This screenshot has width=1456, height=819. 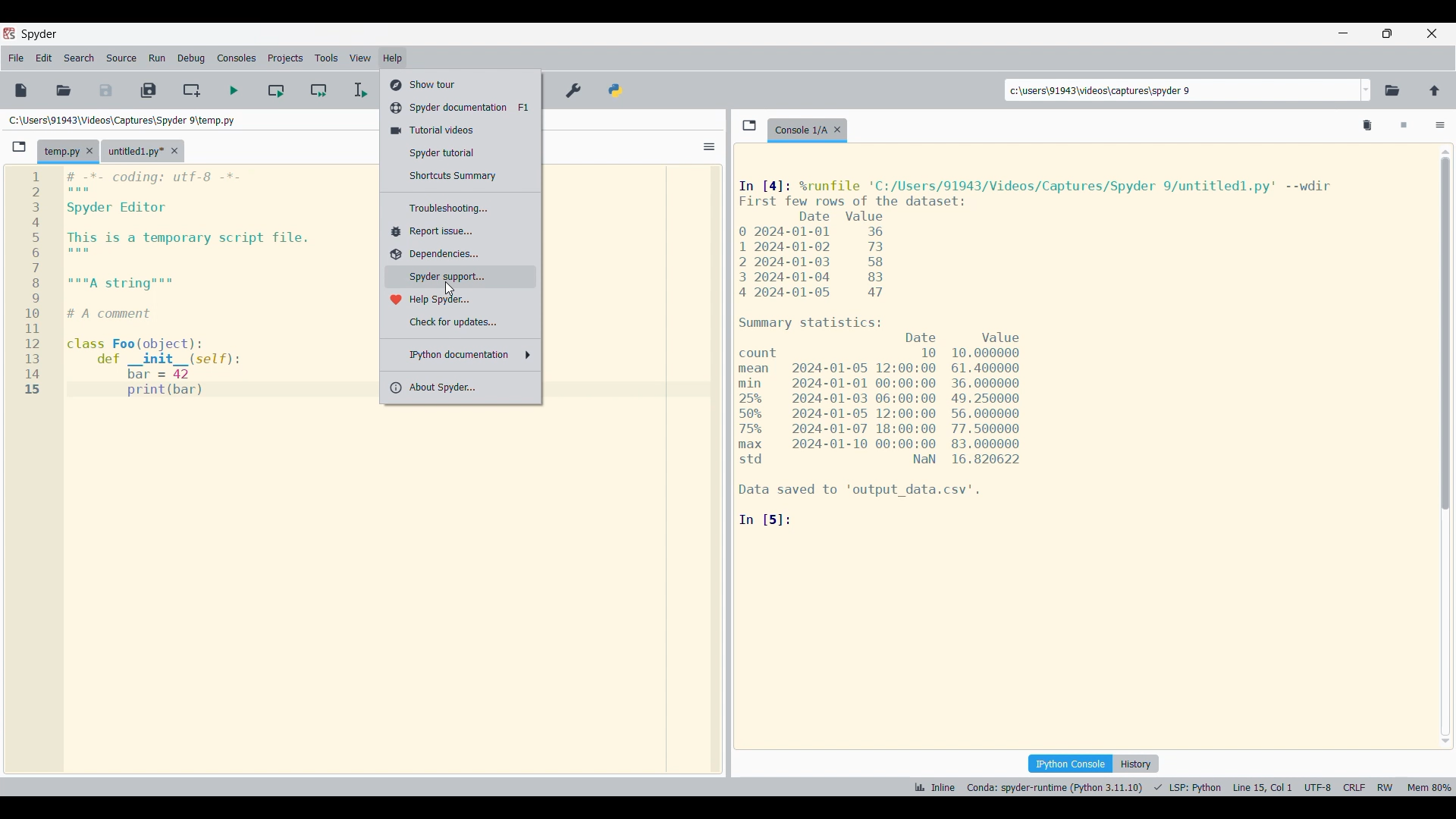 What do you see at coordinates (460, 209) in the screenshot?
I see `Troubleshooting` at bounding box center [460, 209].